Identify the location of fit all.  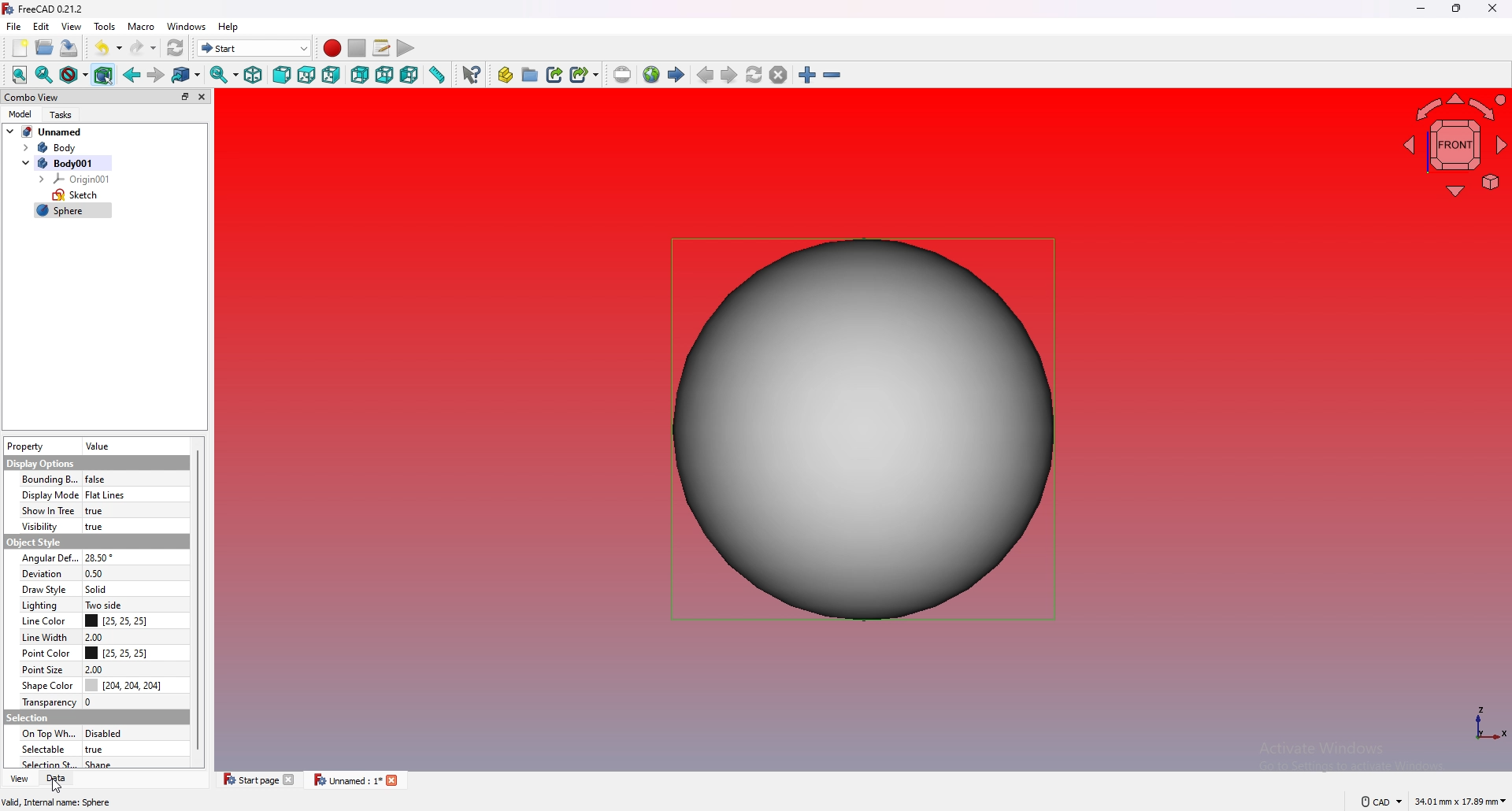
(20, 76).